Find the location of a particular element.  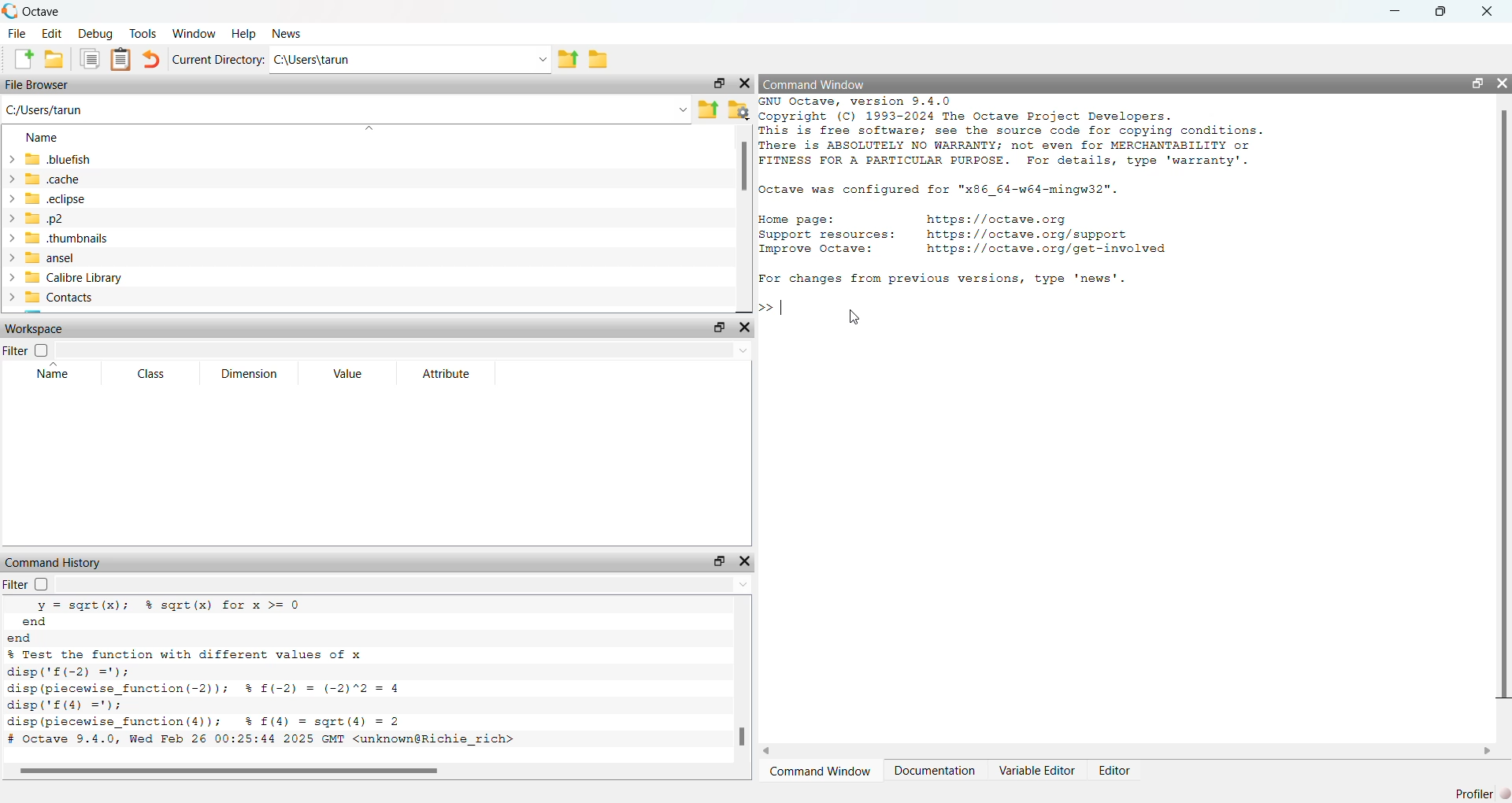

One directory up is located at coordinates (707, 109).